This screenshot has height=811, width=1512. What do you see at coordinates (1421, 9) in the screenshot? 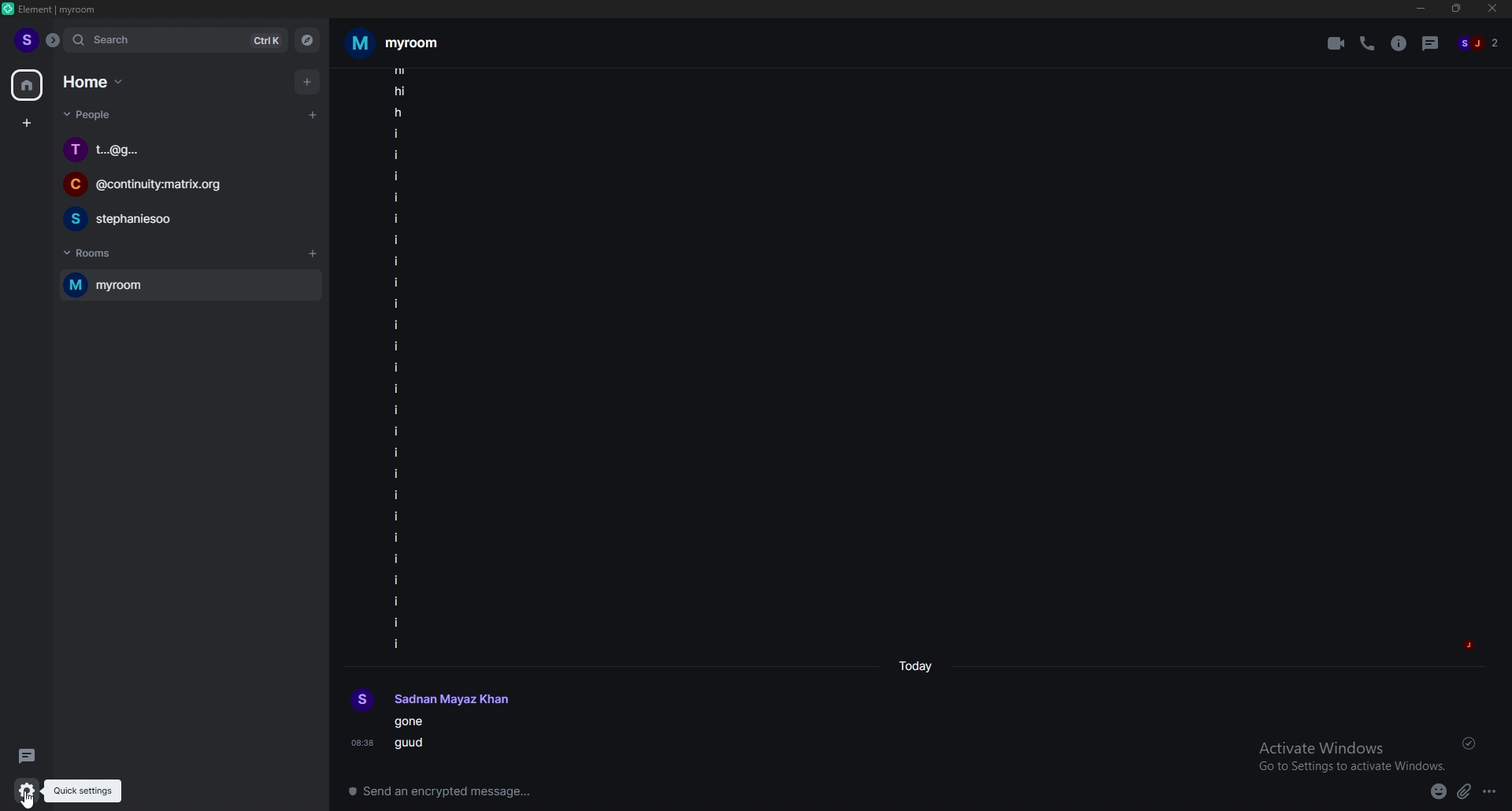
I see `minimize` at bounding box center [1421, 9].